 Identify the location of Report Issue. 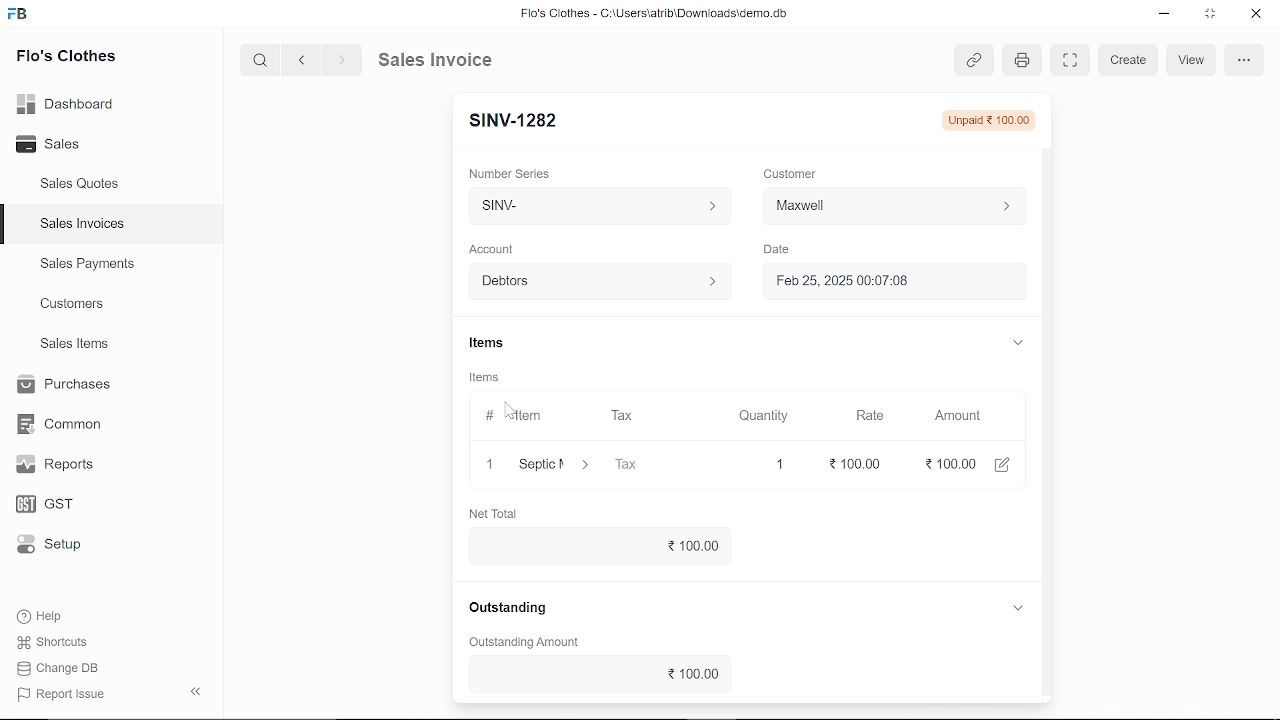
(61, 693).